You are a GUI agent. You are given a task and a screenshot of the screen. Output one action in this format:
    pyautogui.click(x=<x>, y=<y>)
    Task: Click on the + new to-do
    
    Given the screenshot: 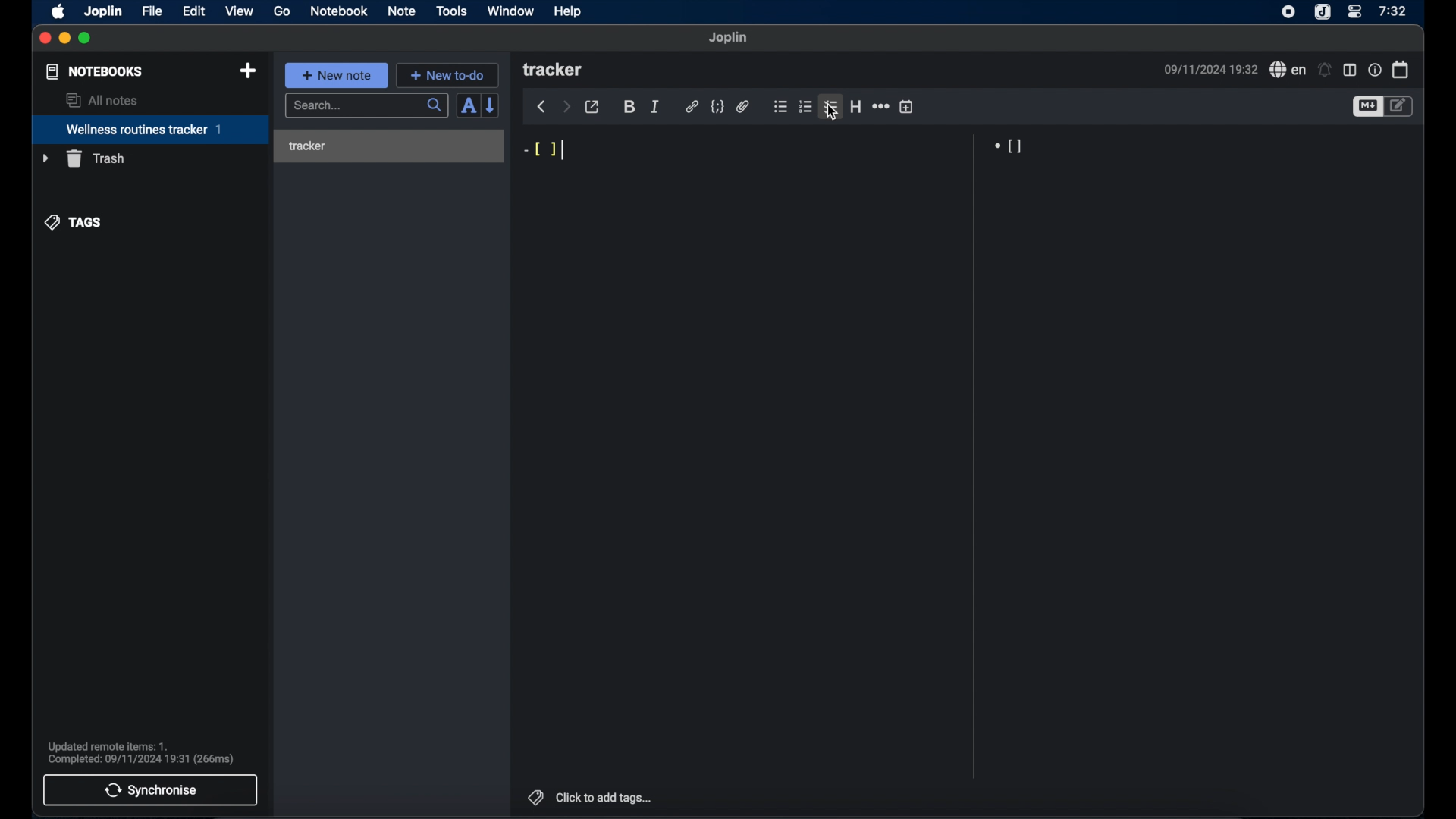 What is the action you would take?
    pyautogui.click(x=447, y=74)
    